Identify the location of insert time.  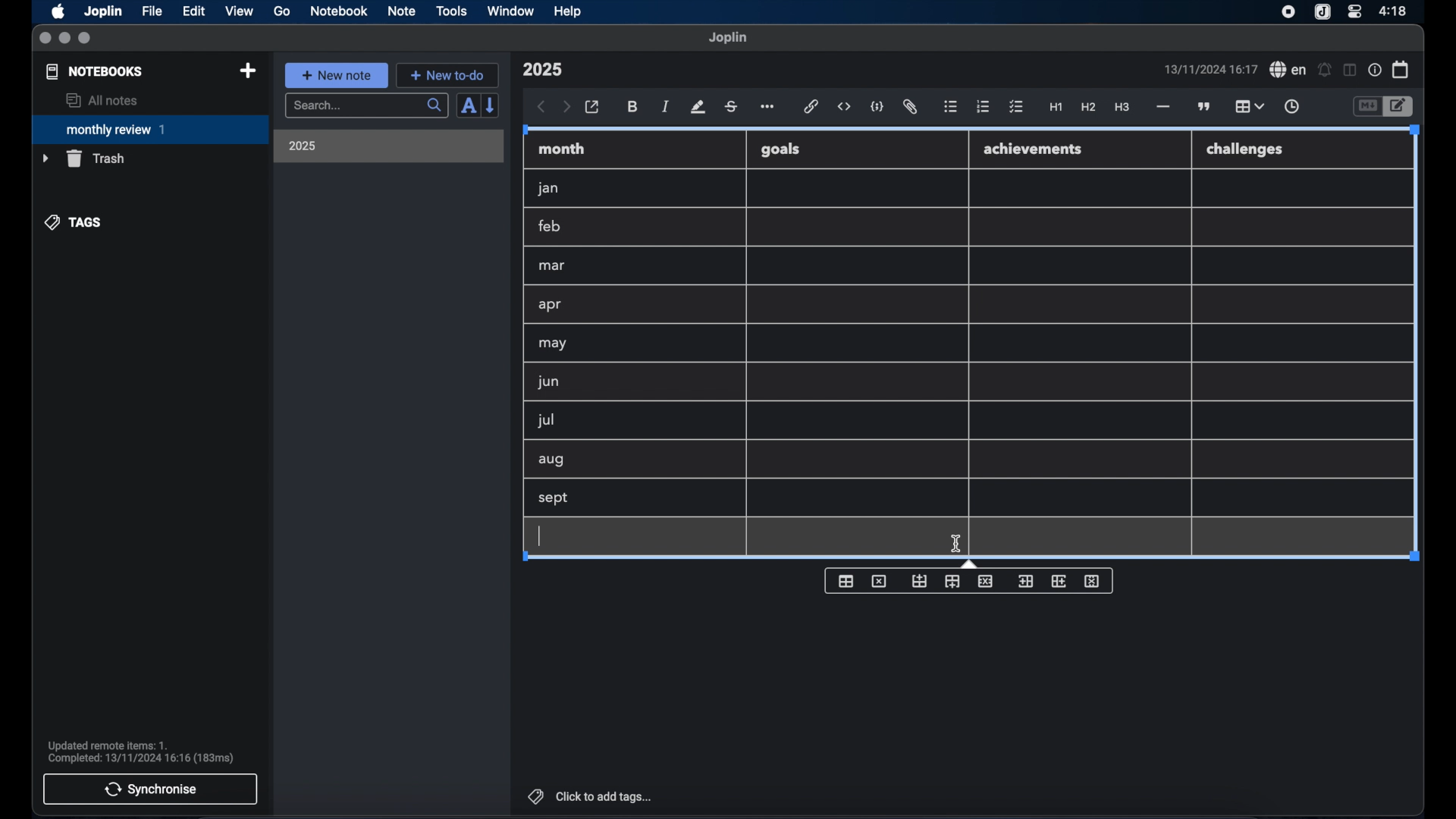
(1291, 107).